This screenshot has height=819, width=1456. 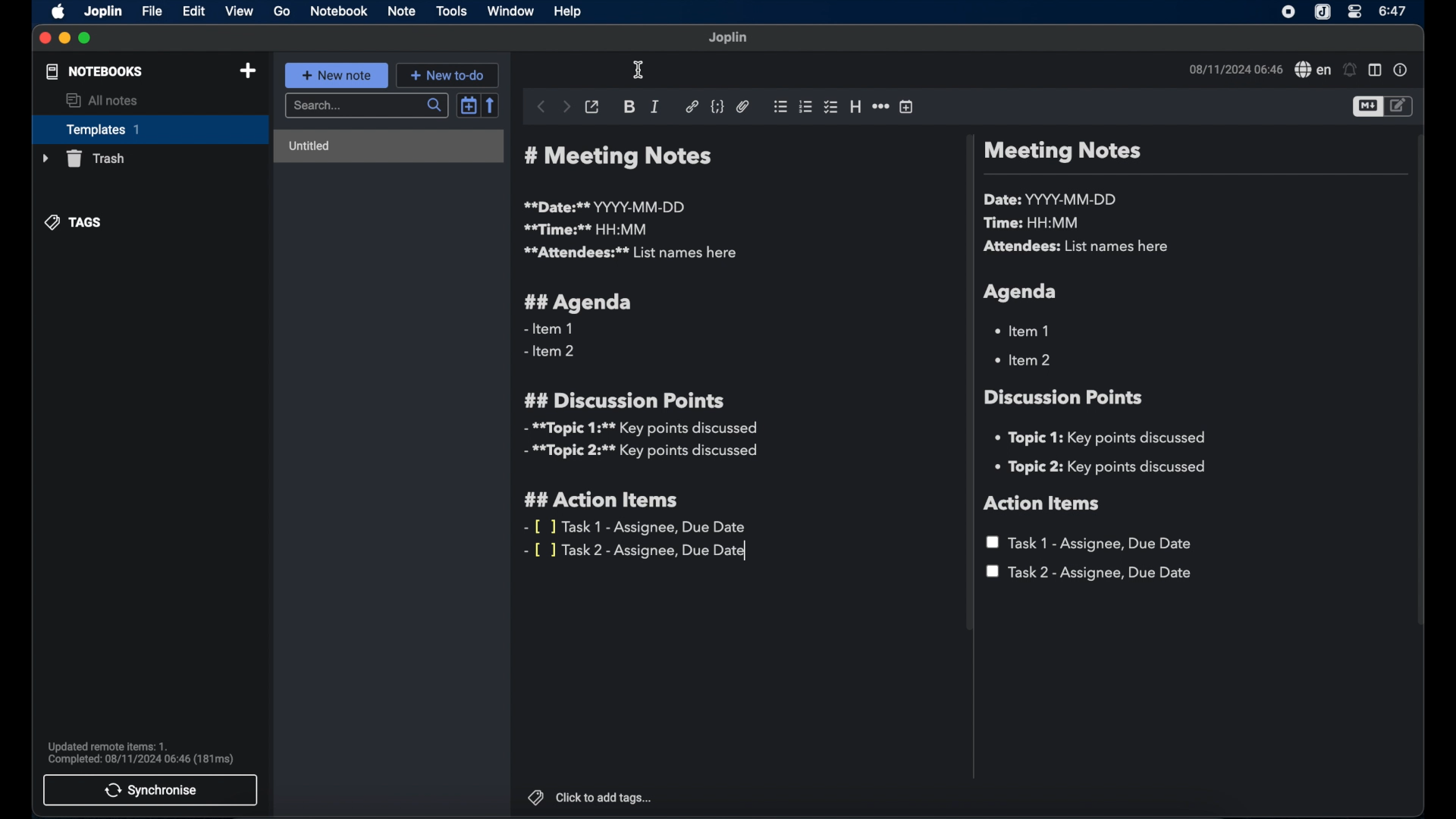 I want to click on - [ ] task 2 - assignee, due date, so click(x=638, y=551).